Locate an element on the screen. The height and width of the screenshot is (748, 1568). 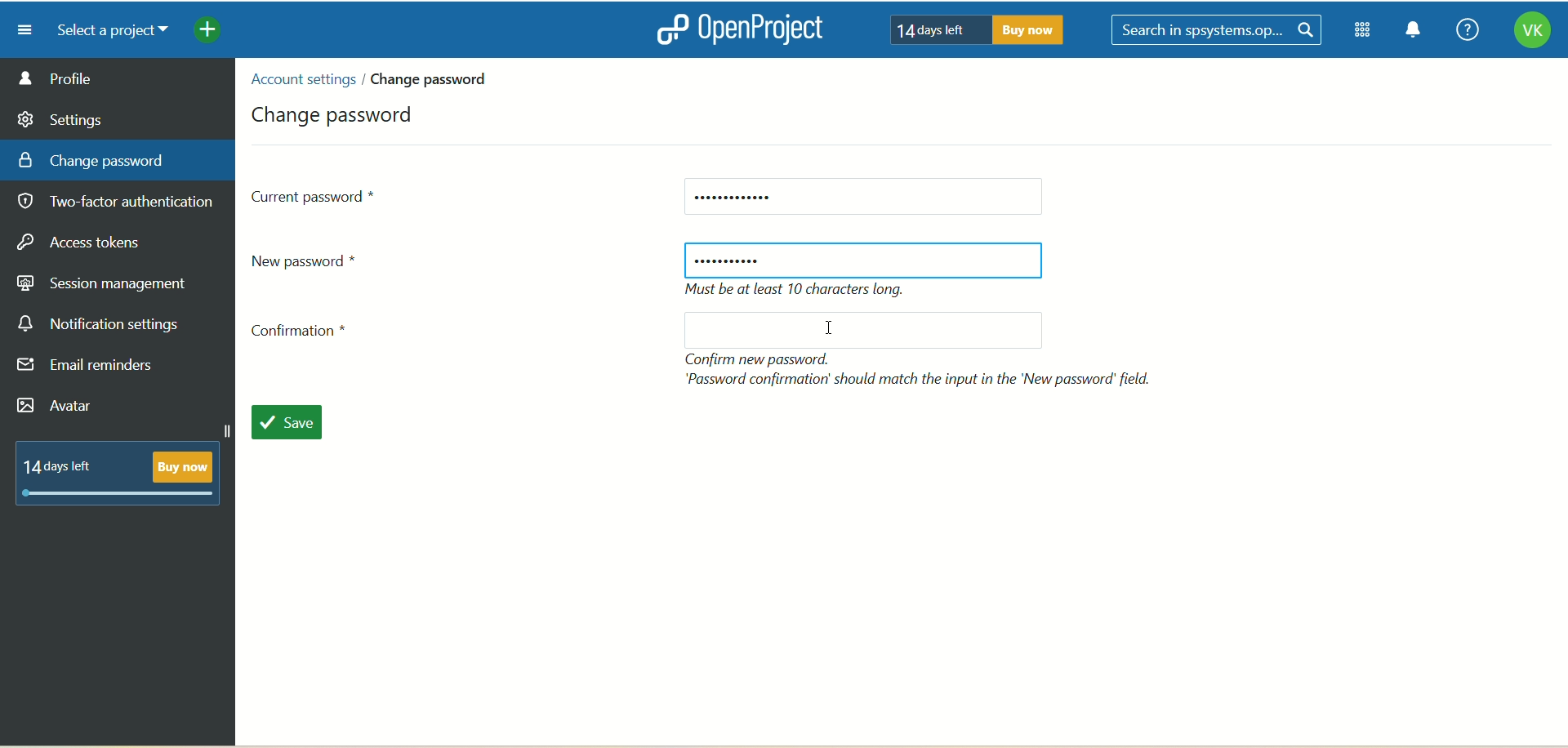
openproject is located at coordinates (736, 29).